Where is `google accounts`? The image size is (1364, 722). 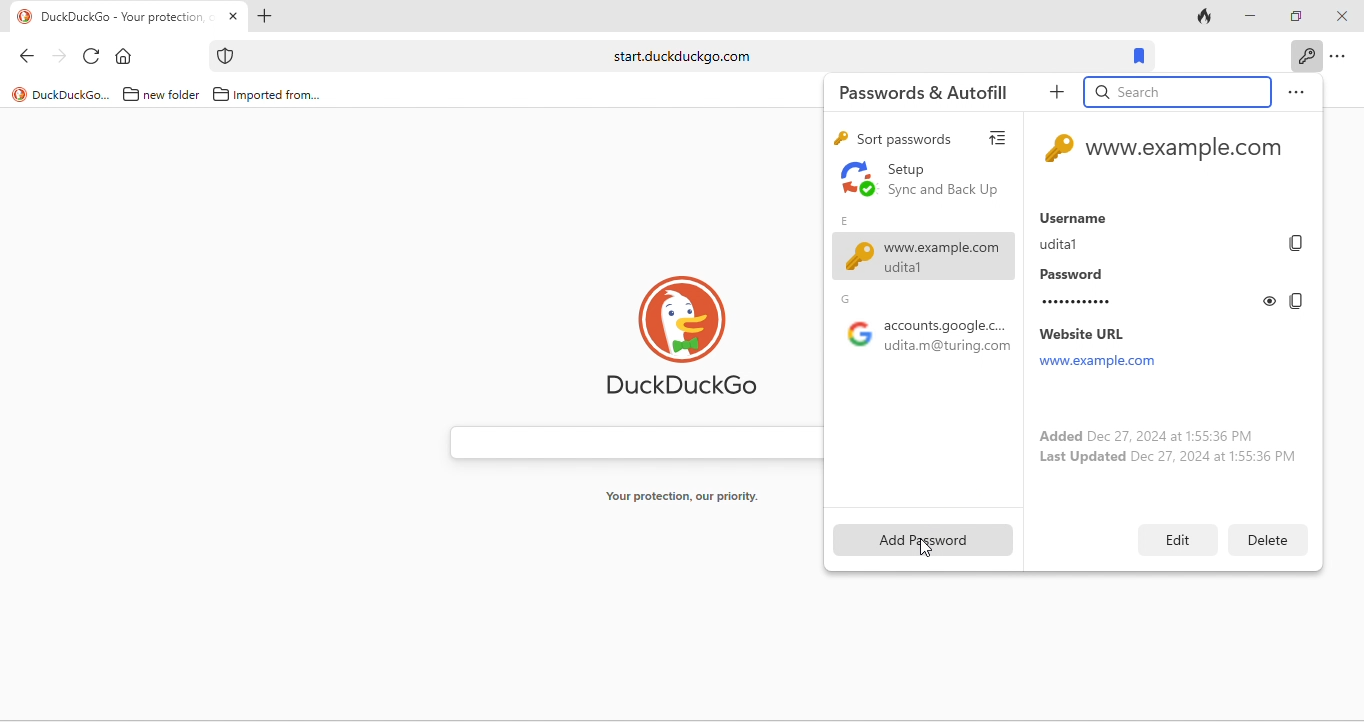
google accounts is located at coordinates (927, 339).